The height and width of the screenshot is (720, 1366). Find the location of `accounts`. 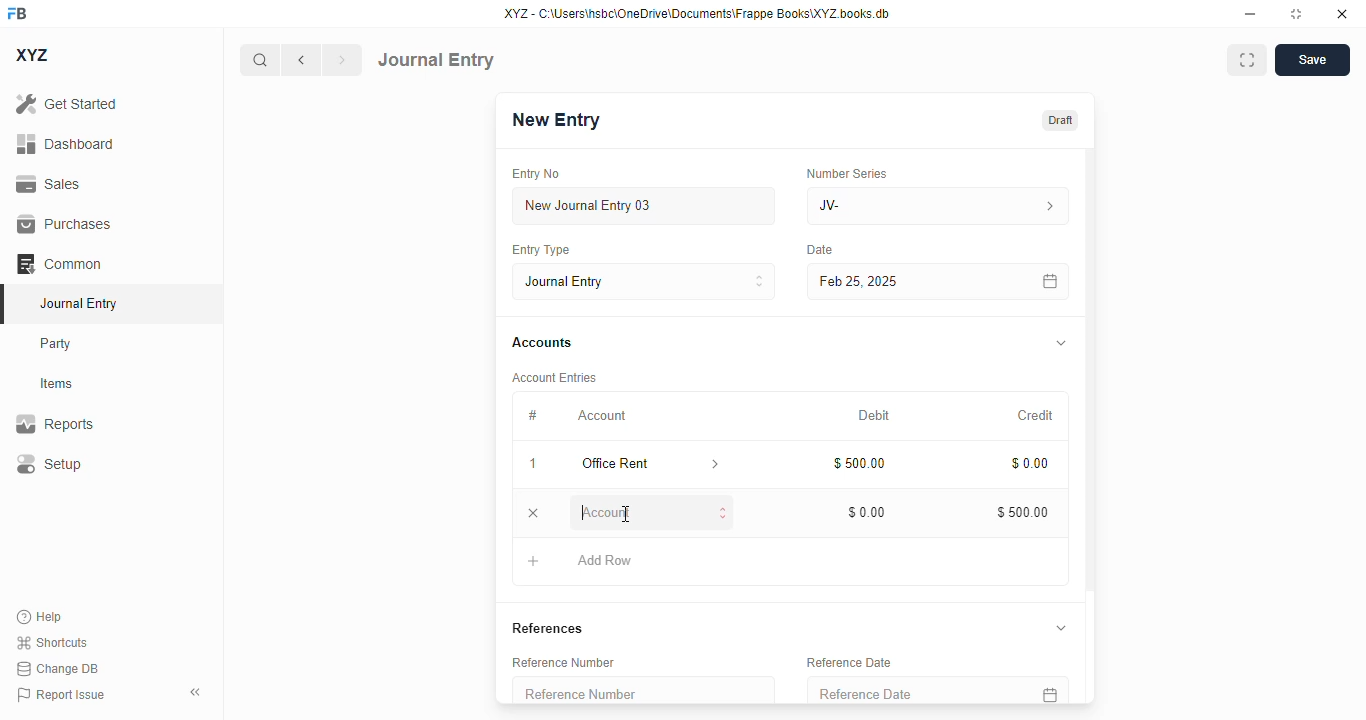

accounts is located at coordinates (542, 343).